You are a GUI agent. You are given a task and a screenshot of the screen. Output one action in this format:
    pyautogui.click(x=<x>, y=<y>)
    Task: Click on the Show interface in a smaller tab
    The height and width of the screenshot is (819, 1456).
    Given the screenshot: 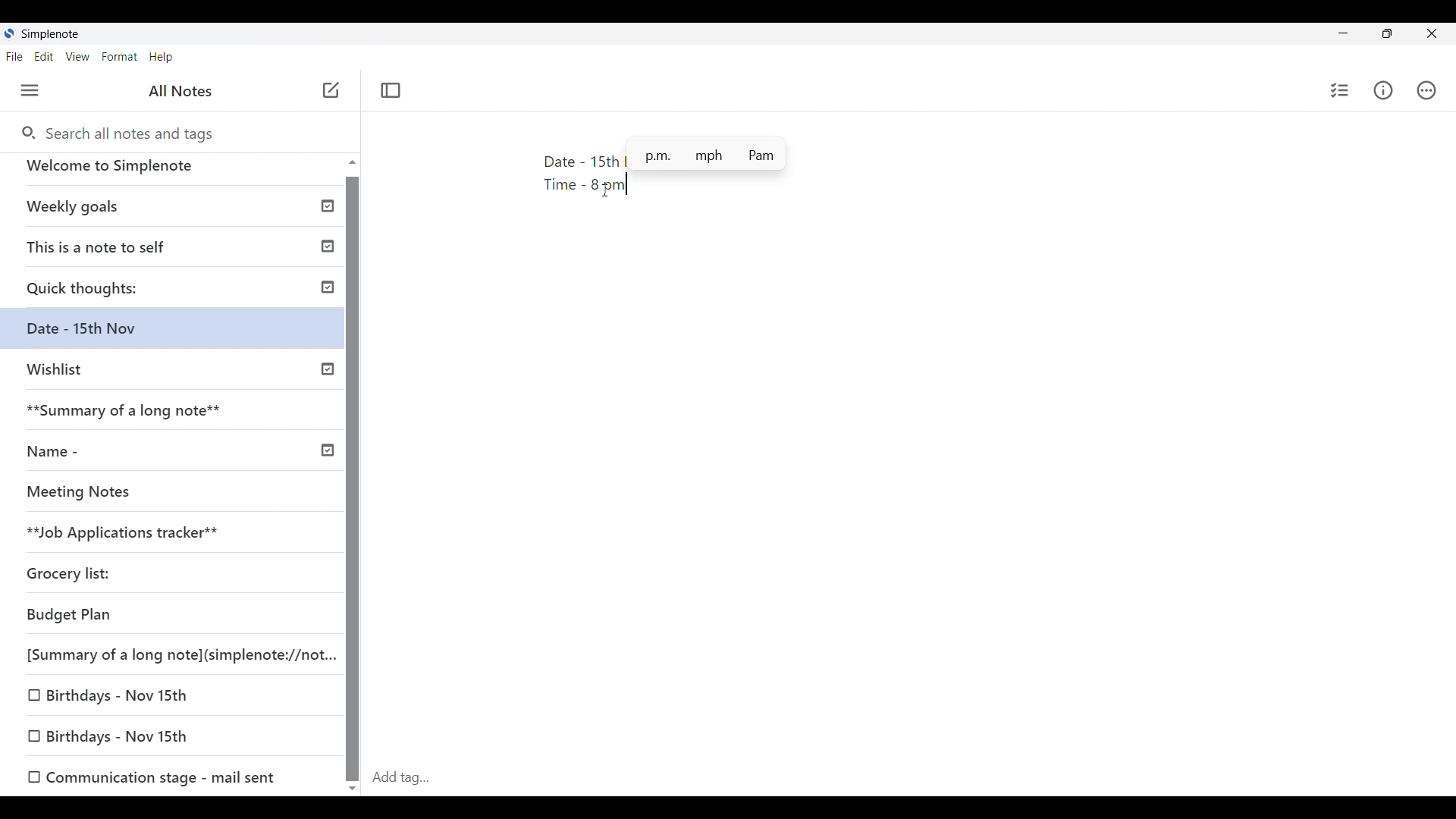 What is the action you would take?
    pyautogui.click(x=1387, y=33)
    